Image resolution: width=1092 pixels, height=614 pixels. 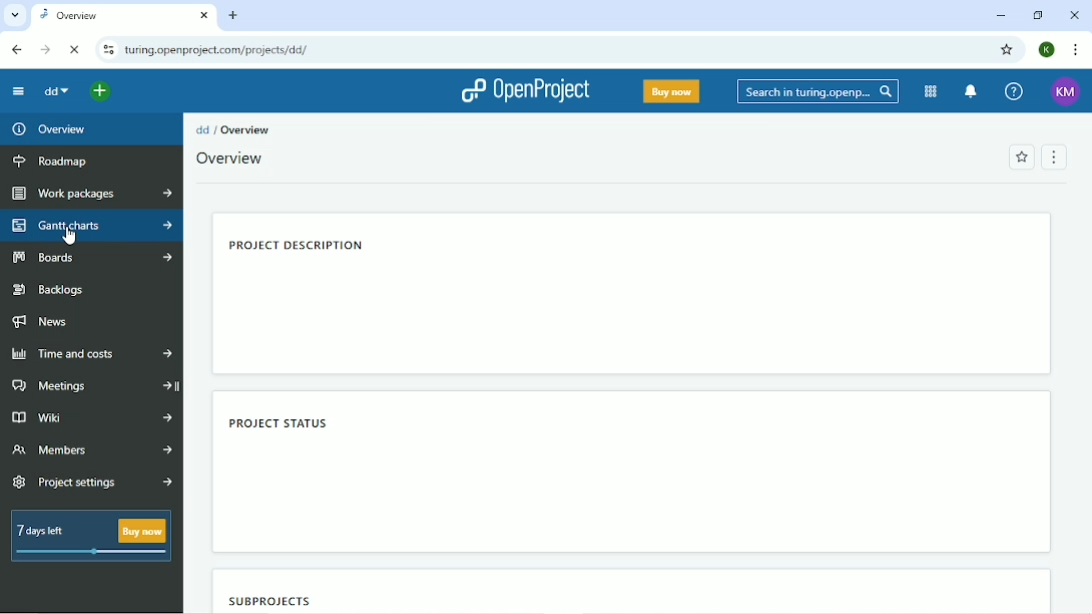 What do you see at coordinates (89, 418) in the screenshot?
I see `Wiki` at bounding box center [89, 418].